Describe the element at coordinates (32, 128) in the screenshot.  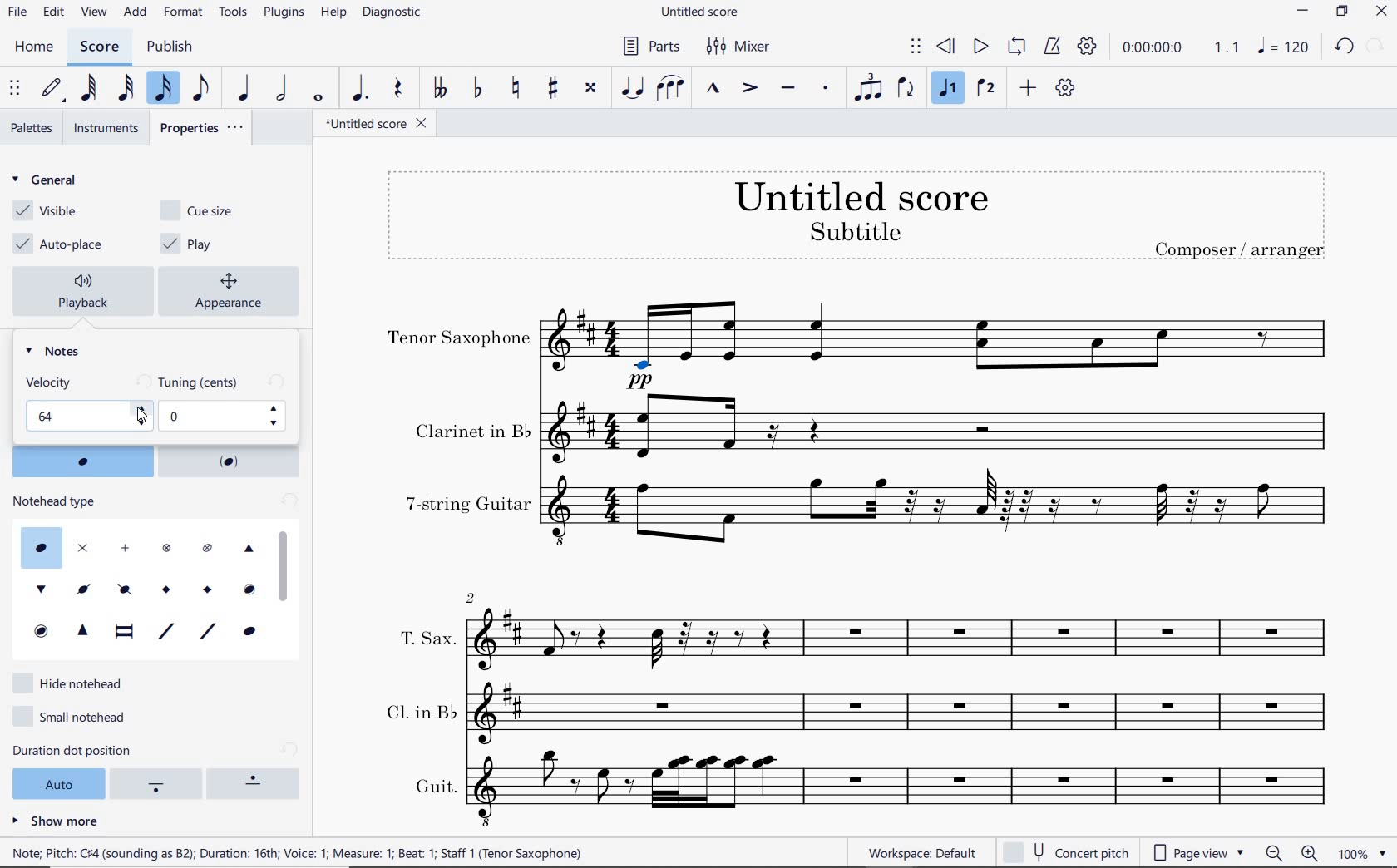
I see `palettes` at that location.